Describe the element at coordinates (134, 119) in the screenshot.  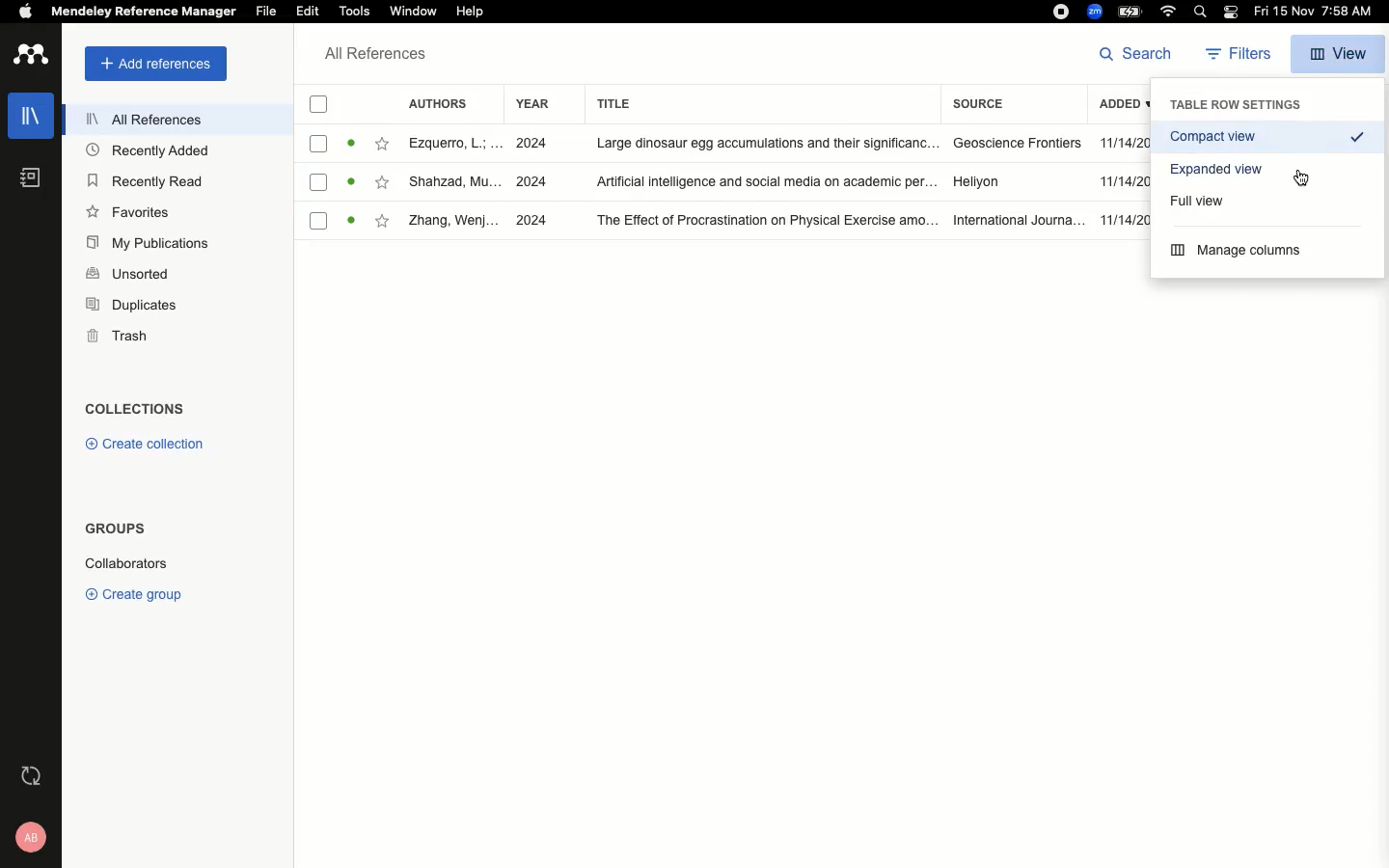
I see `All references` at that location.